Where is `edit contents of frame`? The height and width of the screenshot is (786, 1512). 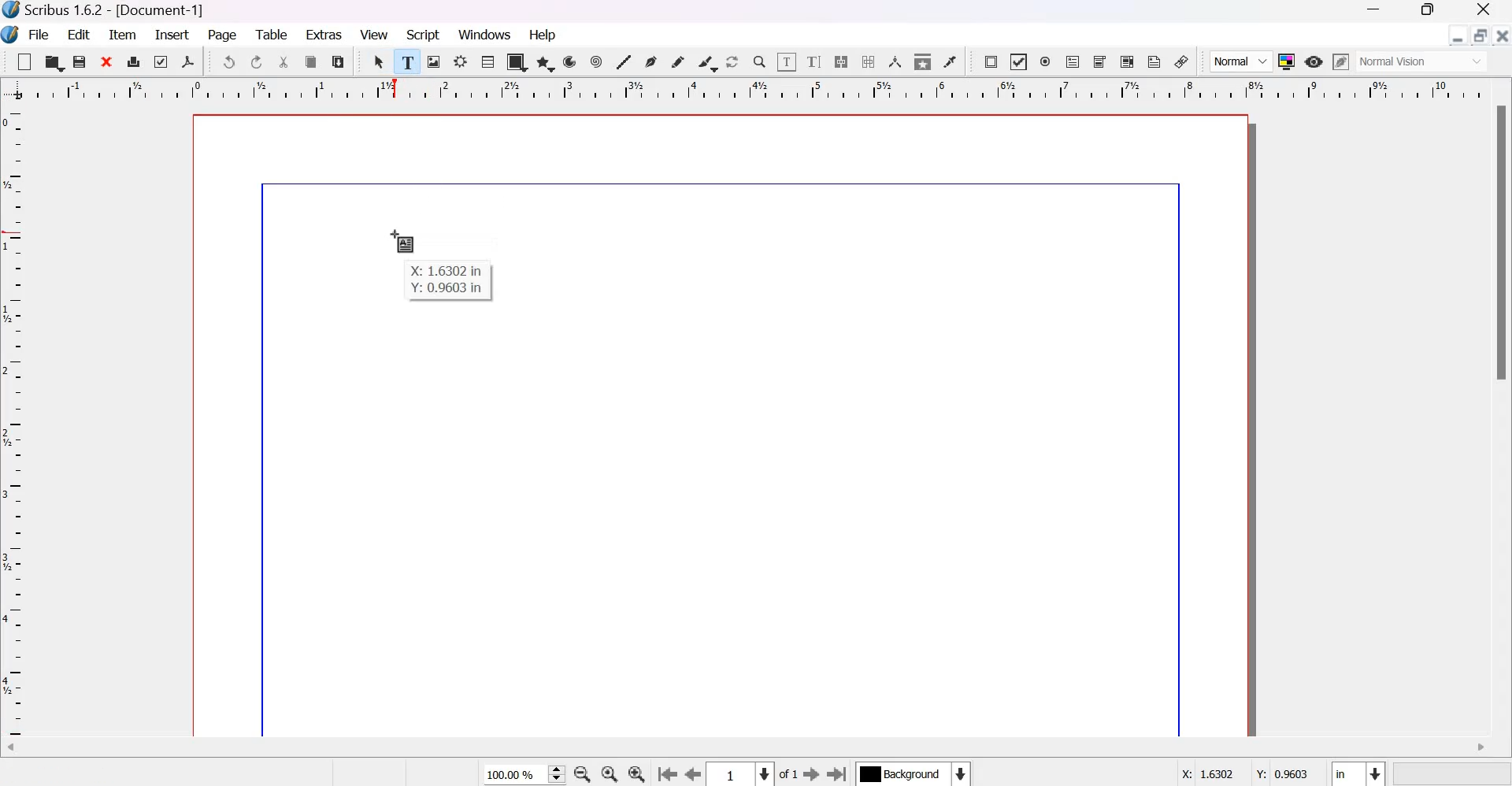
edit contents of frame is located at coordinates (786, 61).